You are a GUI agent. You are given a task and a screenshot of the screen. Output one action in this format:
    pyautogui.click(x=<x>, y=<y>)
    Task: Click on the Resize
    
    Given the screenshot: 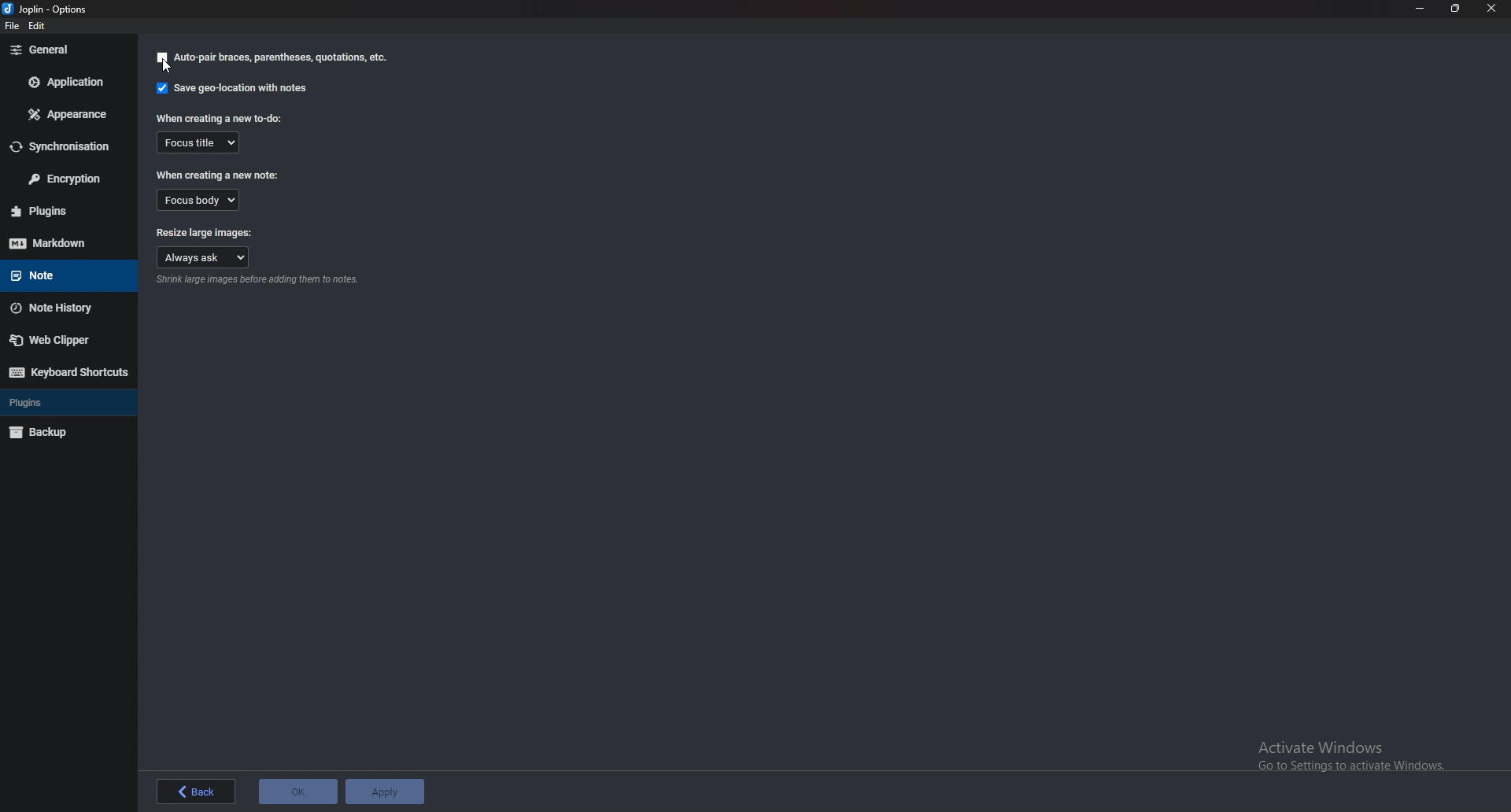 What is the action you would take?
    pyautogui.click(x=1456, y=8)
    